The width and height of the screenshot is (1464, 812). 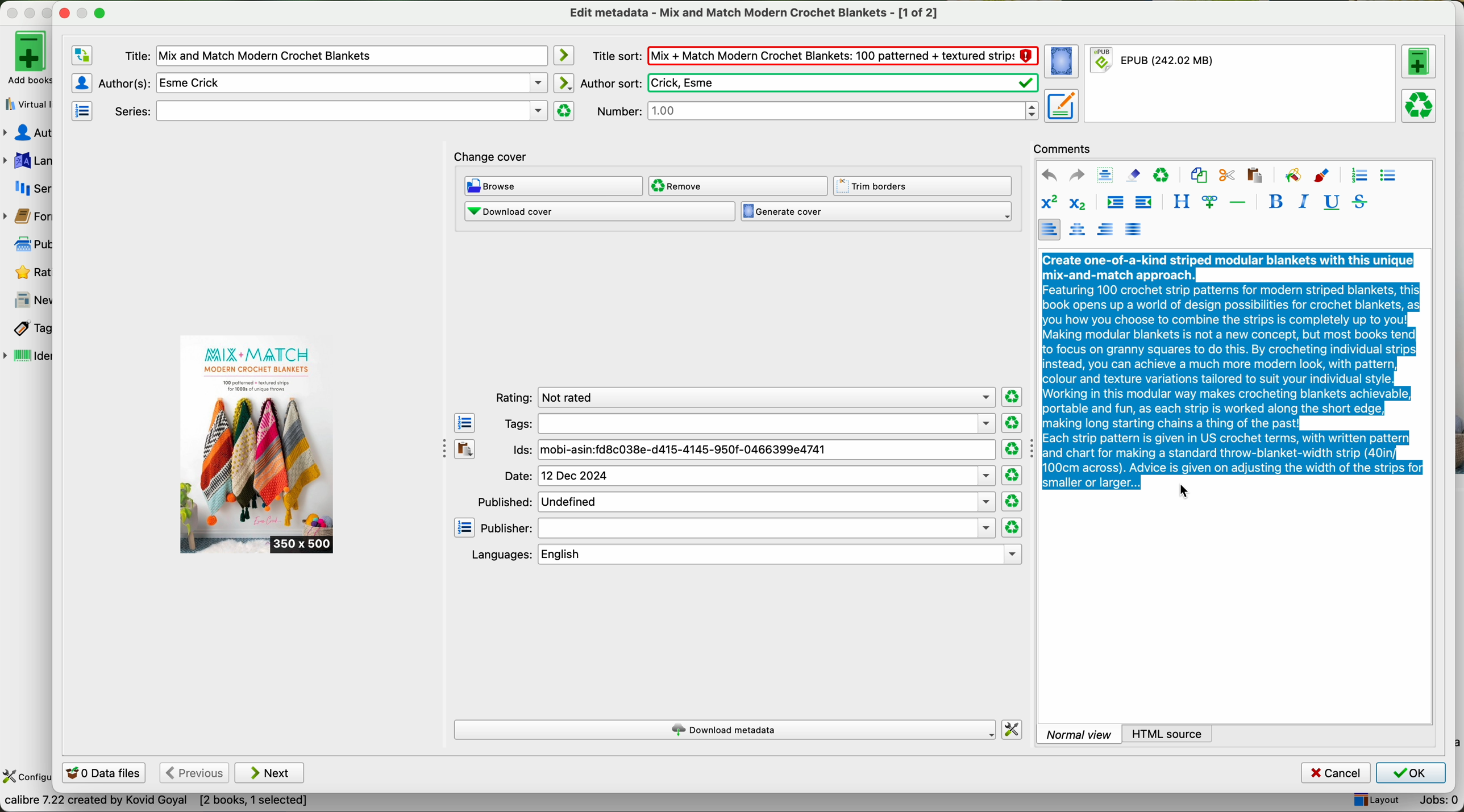 I want to click on data, so click(x=156, y=803).